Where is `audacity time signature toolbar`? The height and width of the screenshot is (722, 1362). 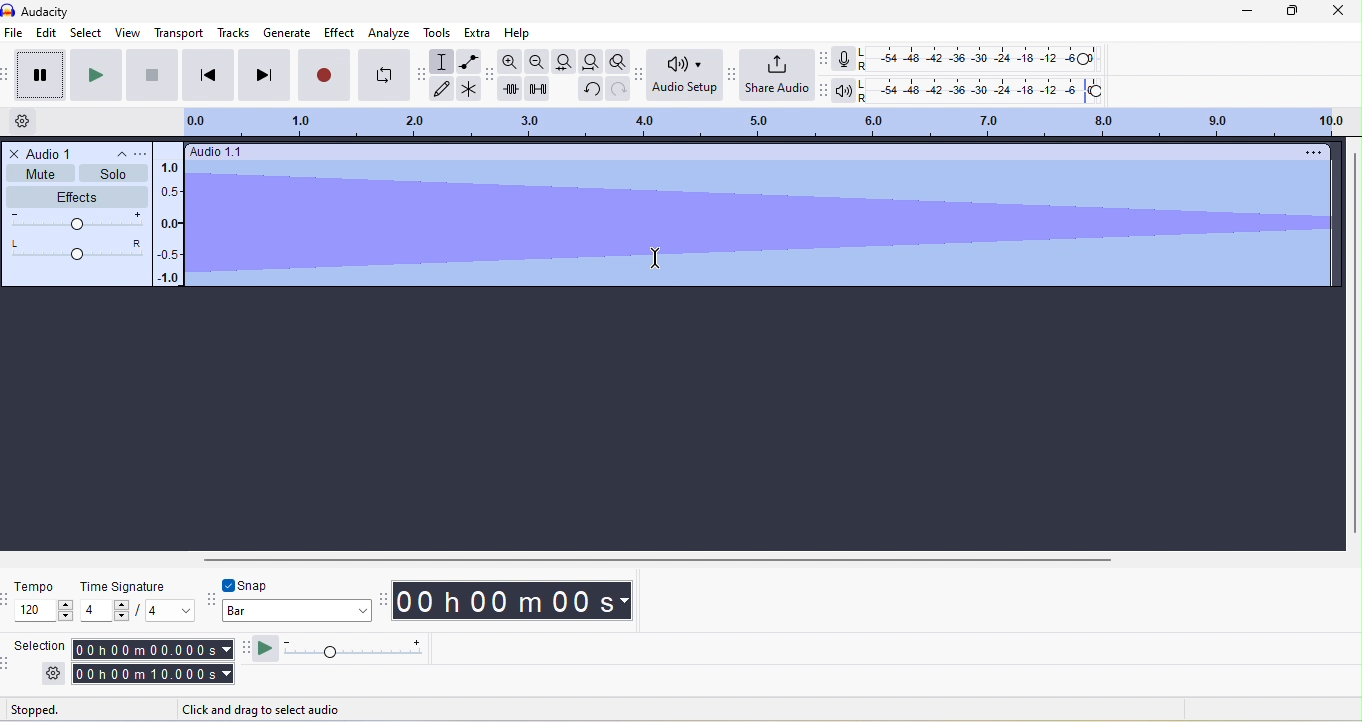
audacity time signature toolbar is located at coordinates (9, 599).